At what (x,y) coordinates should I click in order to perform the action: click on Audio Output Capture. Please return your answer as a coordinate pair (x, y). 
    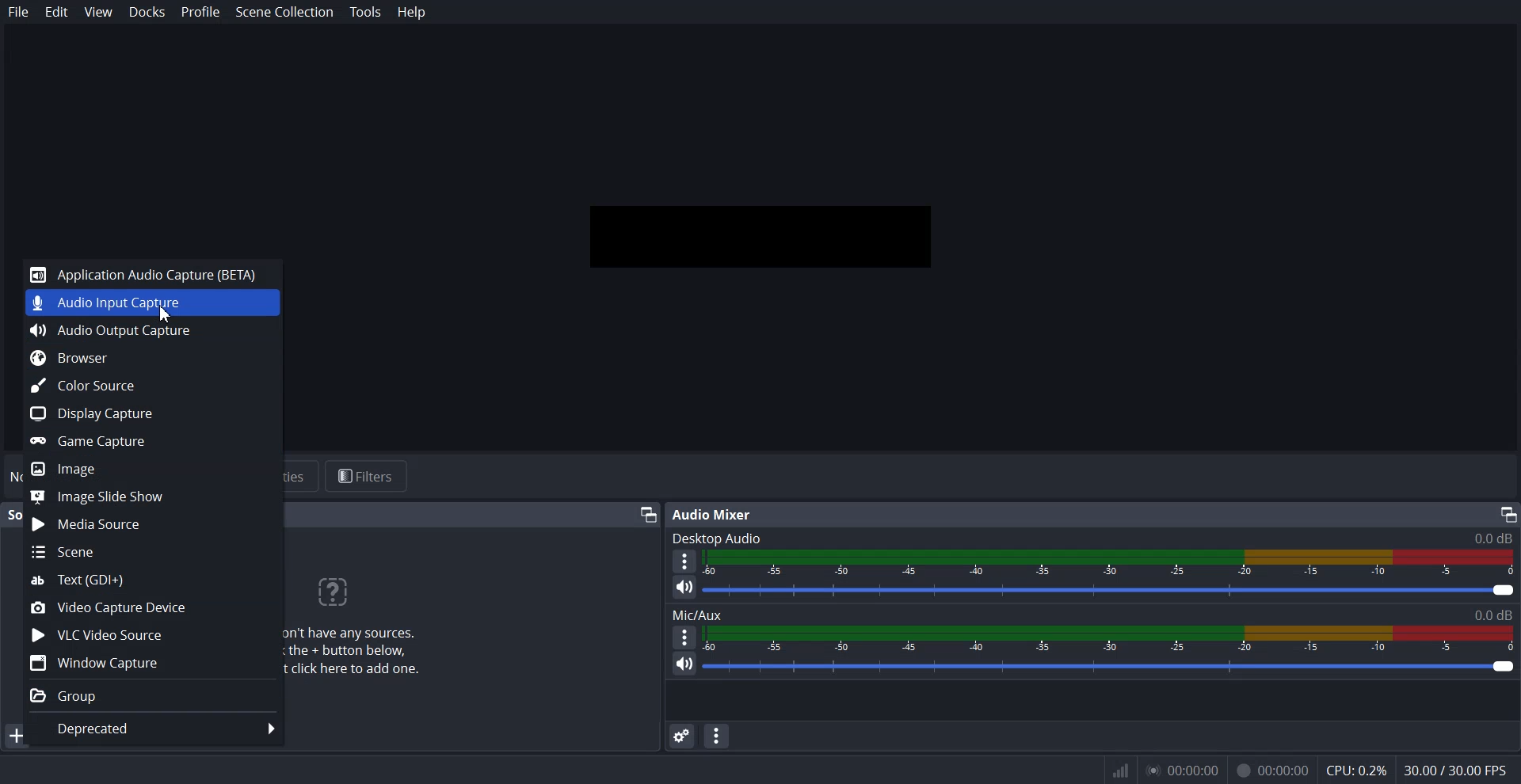
    Looking at the image, I should click on (154, 330).